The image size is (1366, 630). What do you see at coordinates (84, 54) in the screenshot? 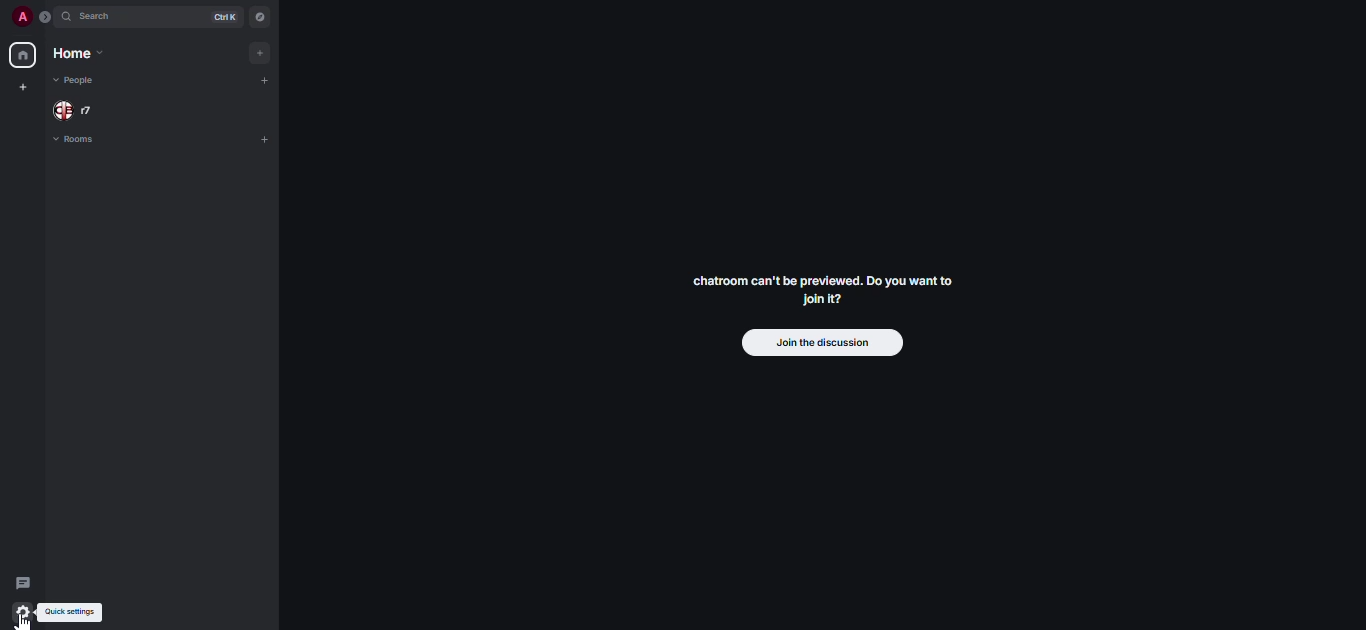
I see `home` at bounding box center [84, 54].